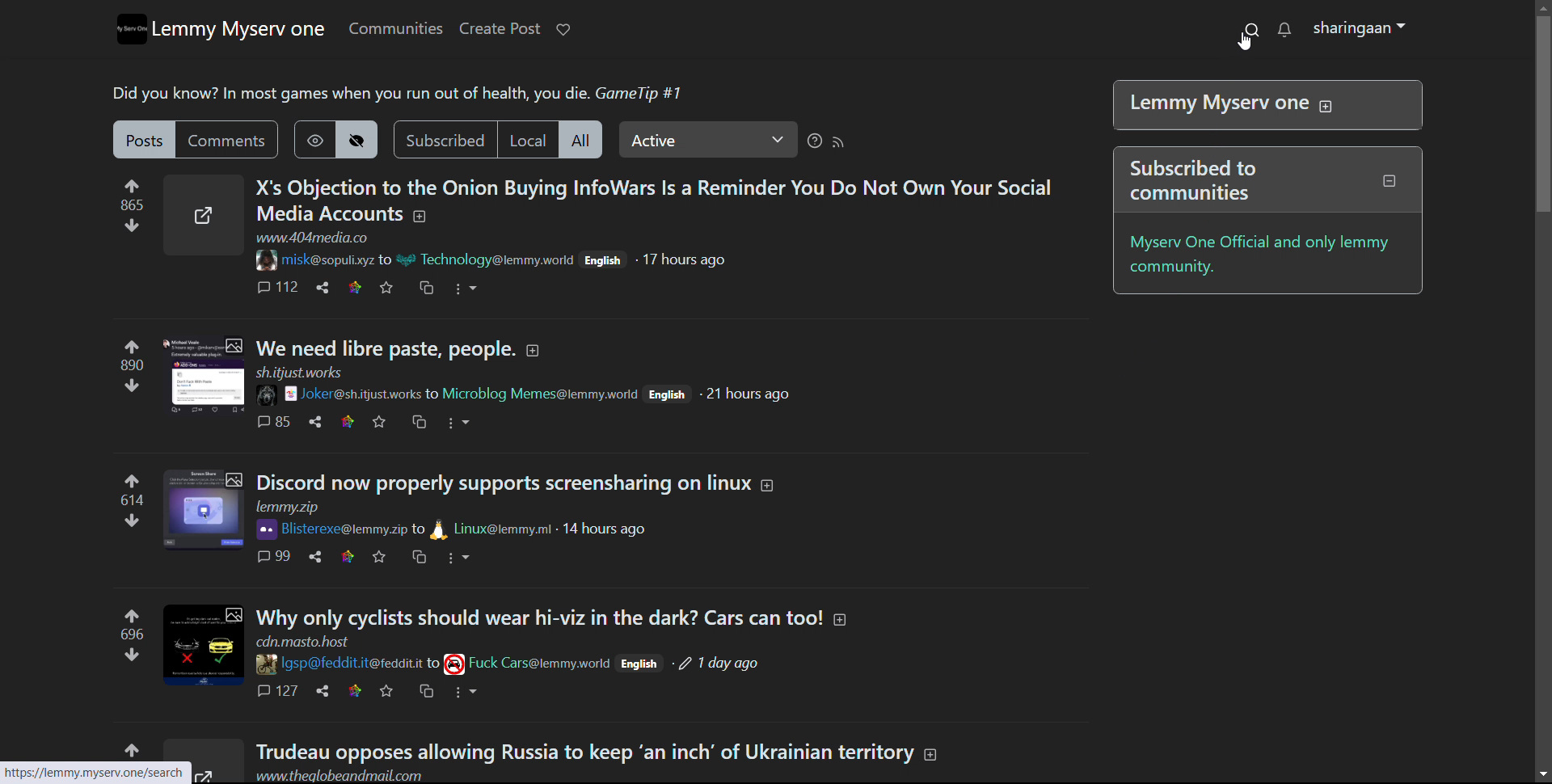 The image size is (1552, 784). What do you see at coordinates (1265, 105) in the screenshot?
I see `Lemmy Myserv one expand` at bounding box center [1265, 105].